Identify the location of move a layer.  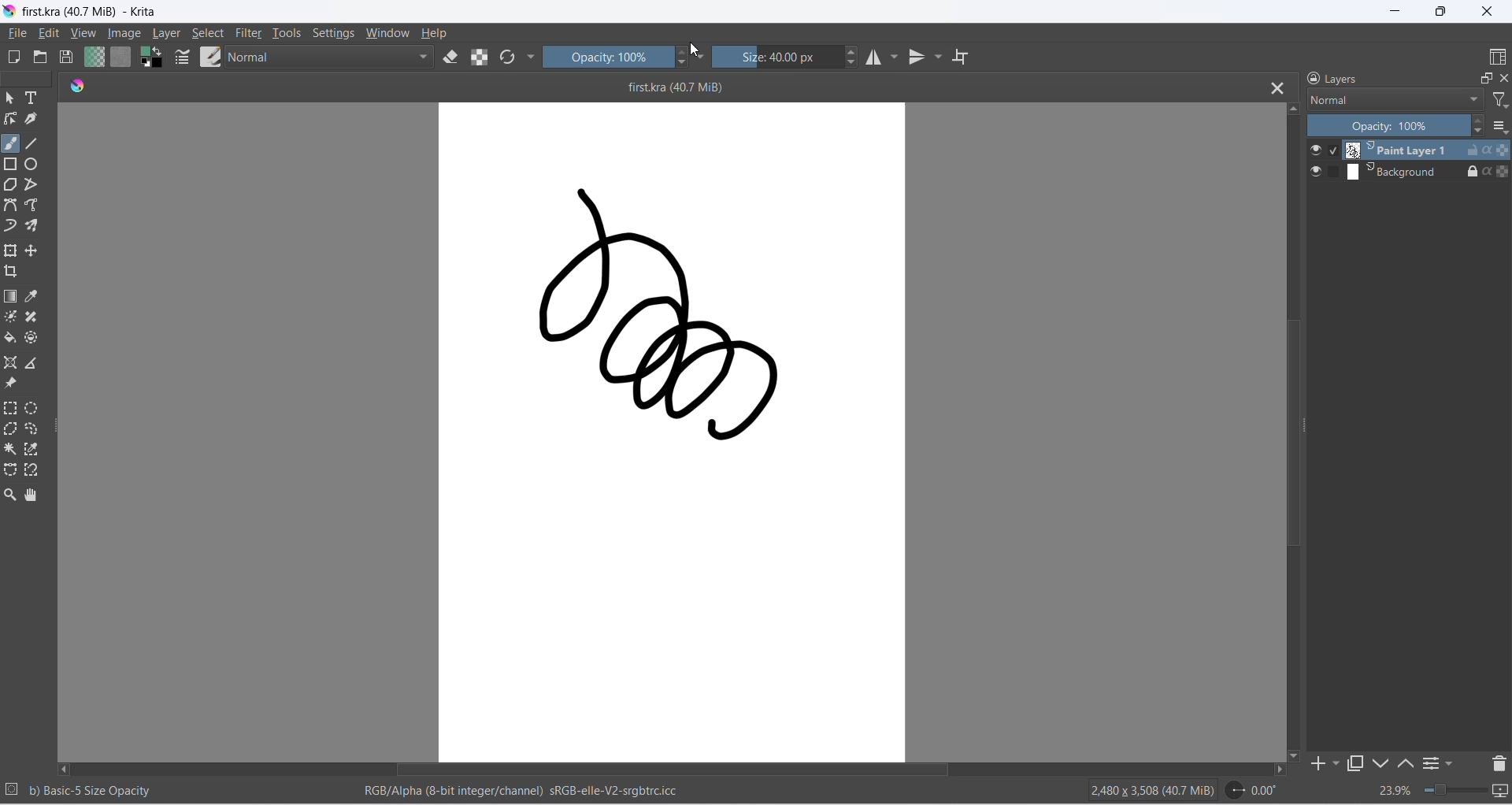
(31, 250).